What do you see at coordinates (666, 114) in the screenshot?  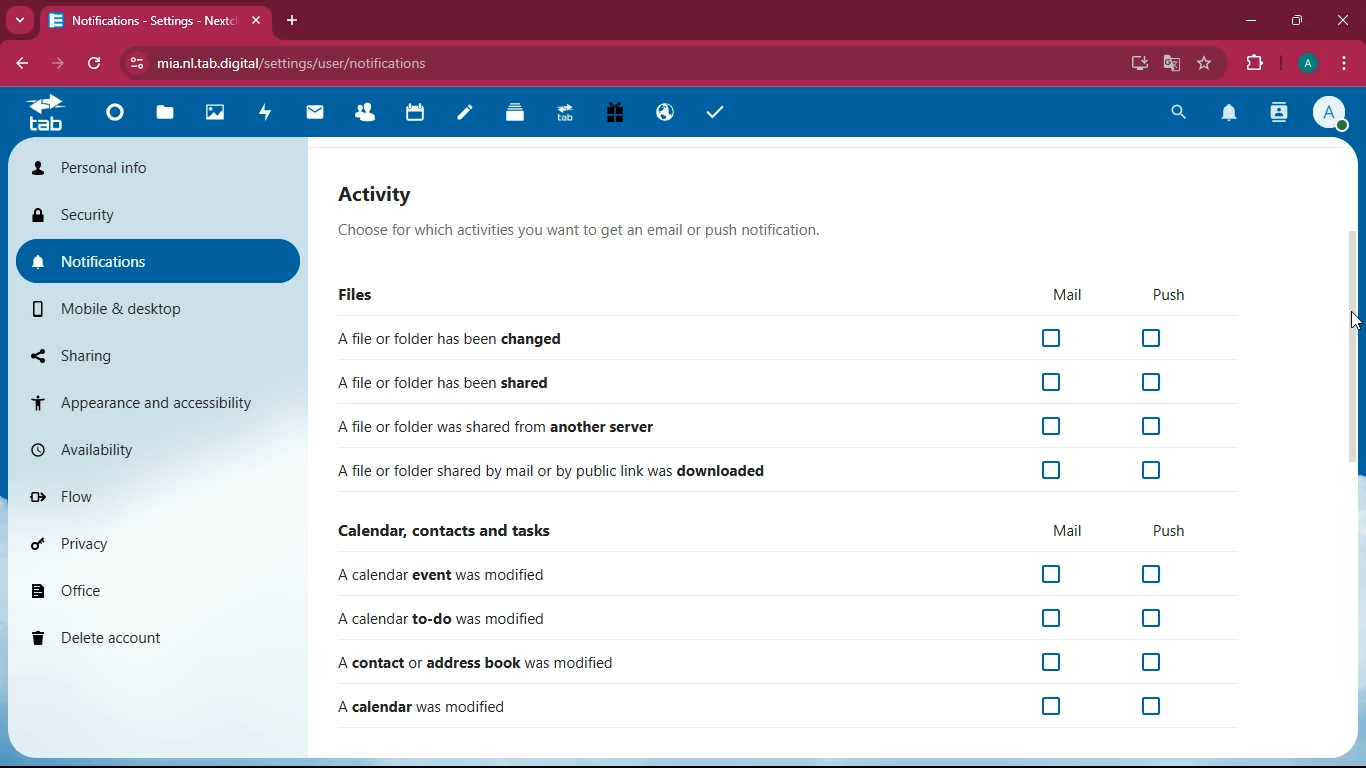 I see `Email Hosting` at bounding box center [666, 114].